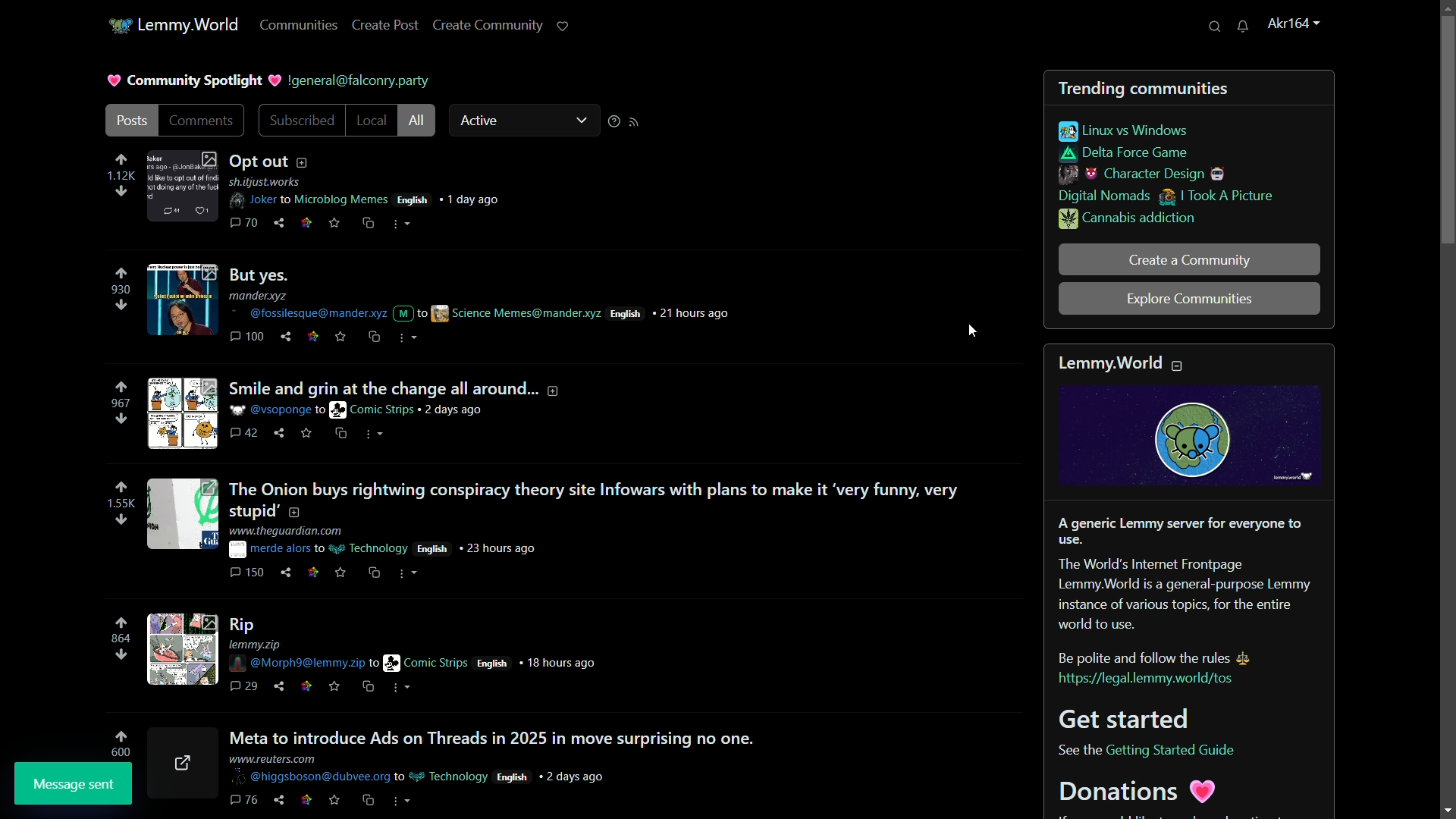  Describe the element at coordinates (182, 187) in the screenshot. I see `image` at that location.